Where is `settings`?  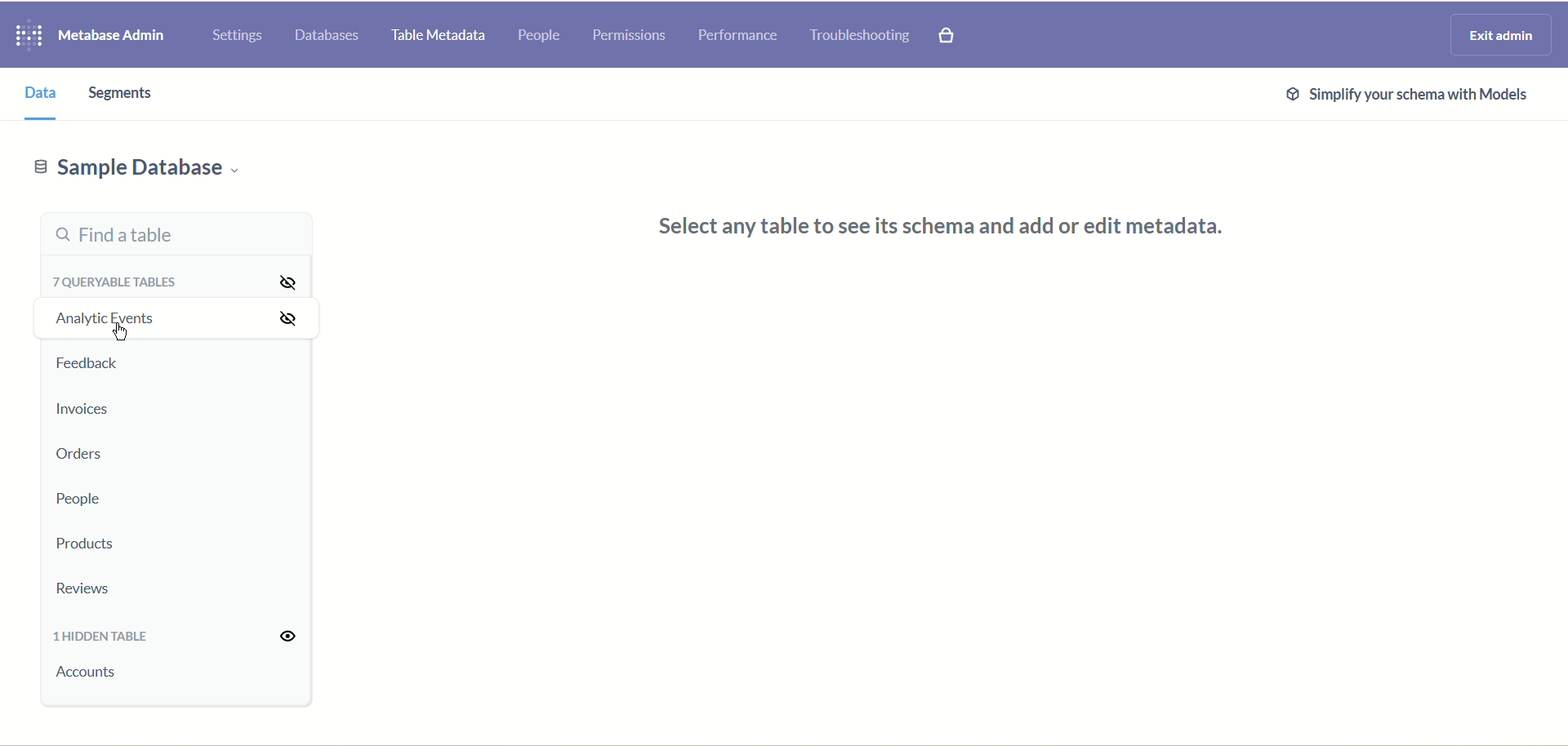 settings is located at coordinates (237, 37).